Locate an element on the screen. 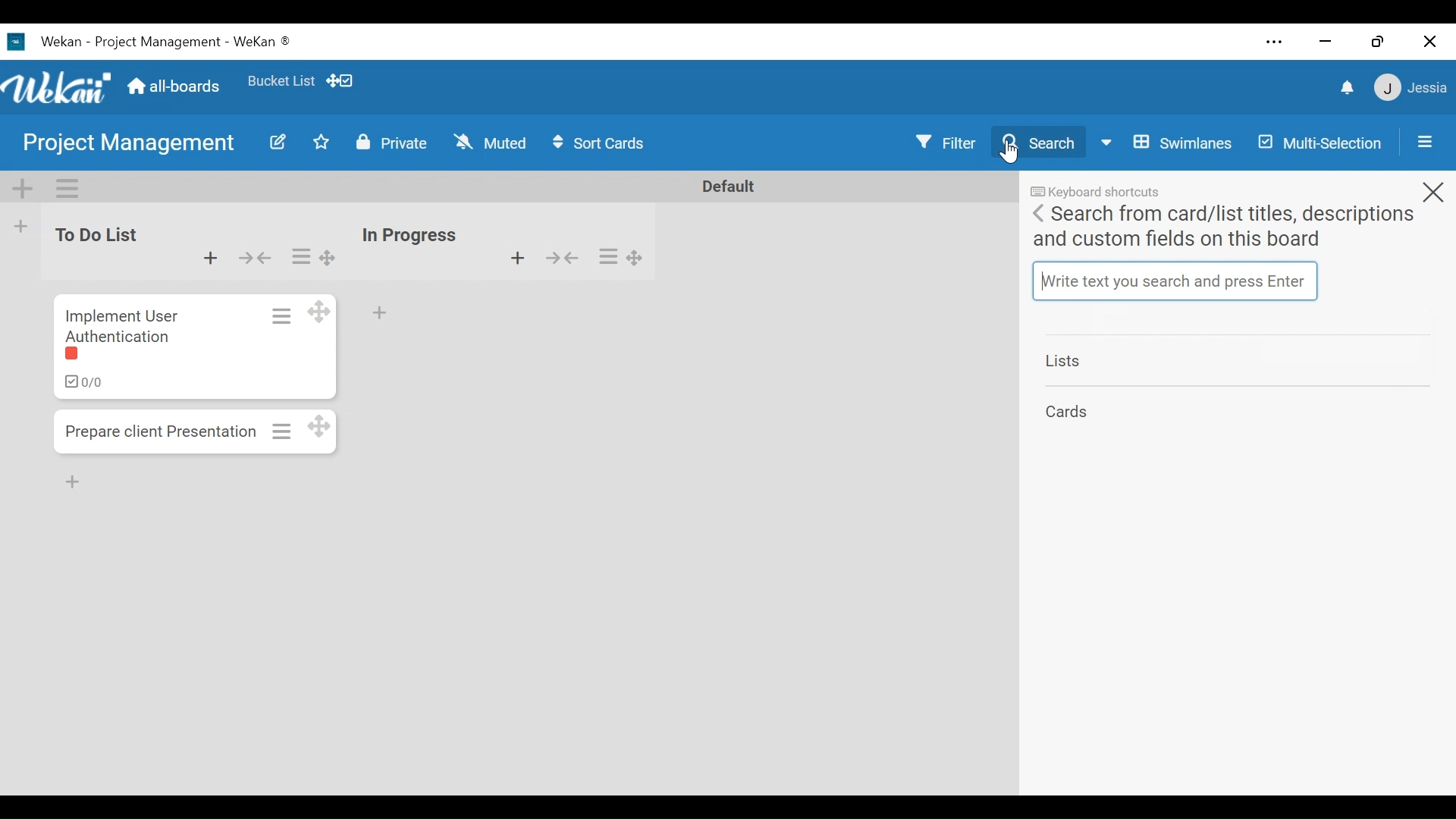  Multi-selection is located at coordinates (1317, 142).